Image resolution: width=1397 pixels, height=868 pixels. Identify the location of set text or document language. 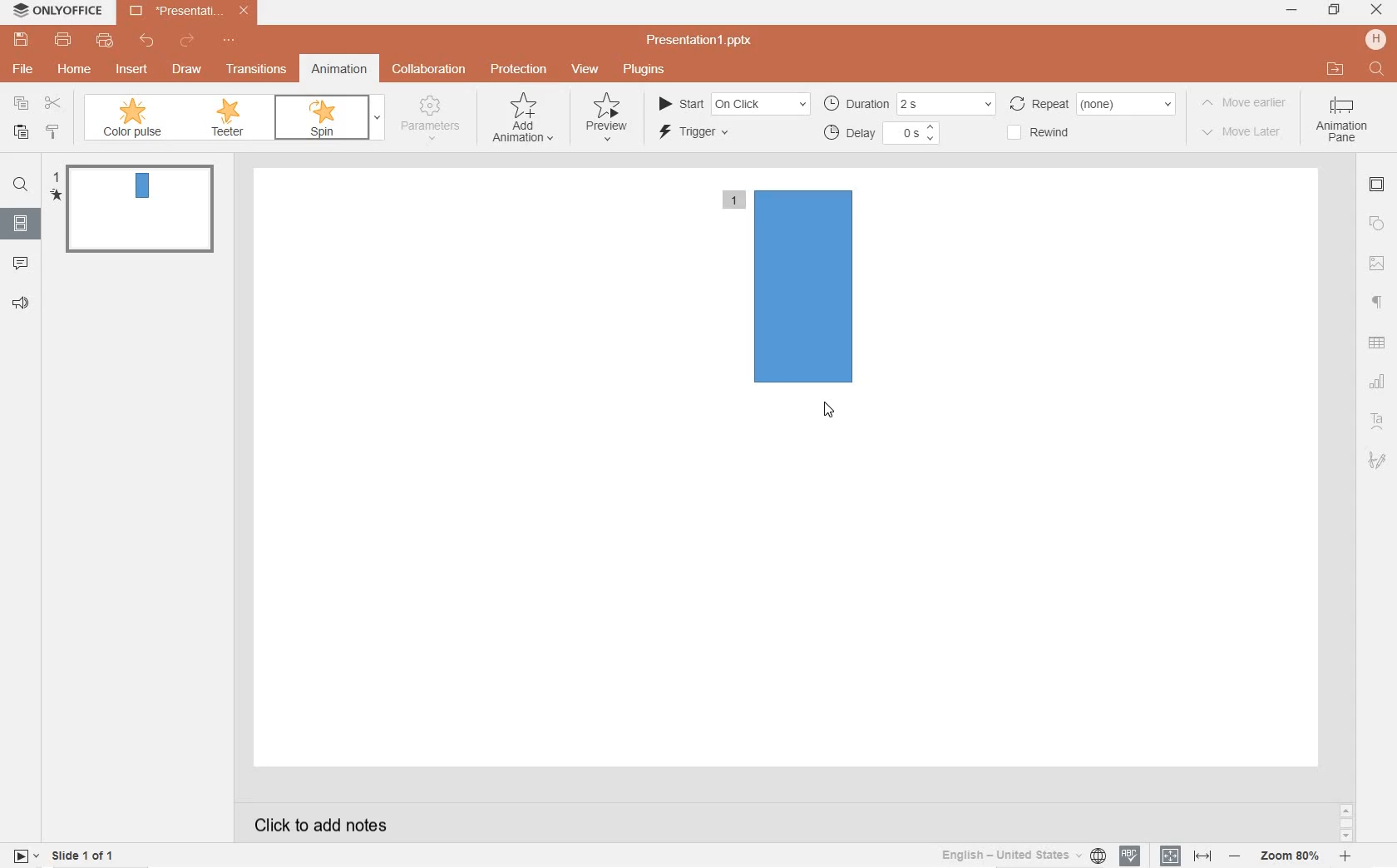
(1183, 856).